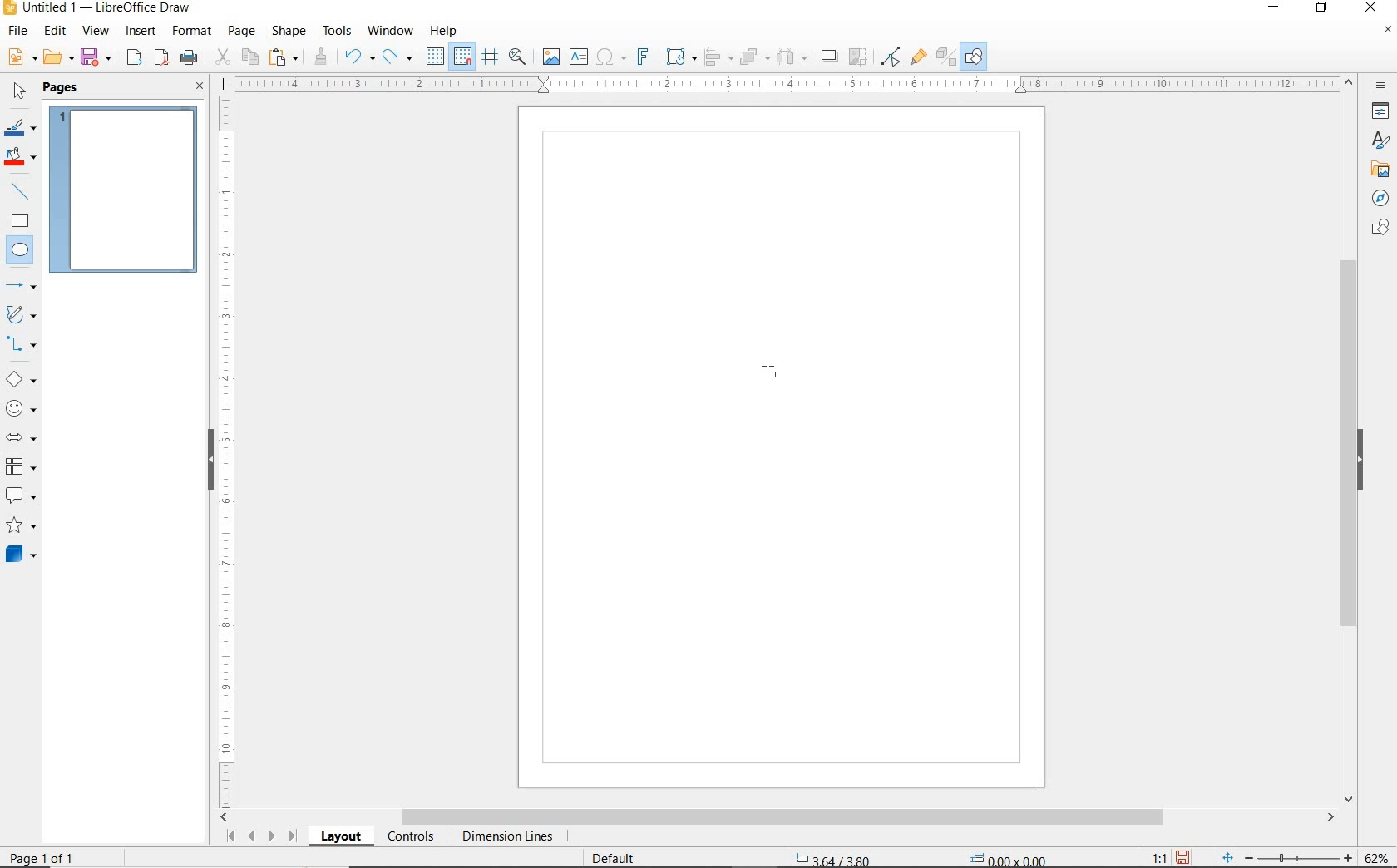 Image resolution: width=1397 pixels, height=868 pixels. Describe the element at coordinates (359, 58) in the screenshot. I see `UNDO` at that location.